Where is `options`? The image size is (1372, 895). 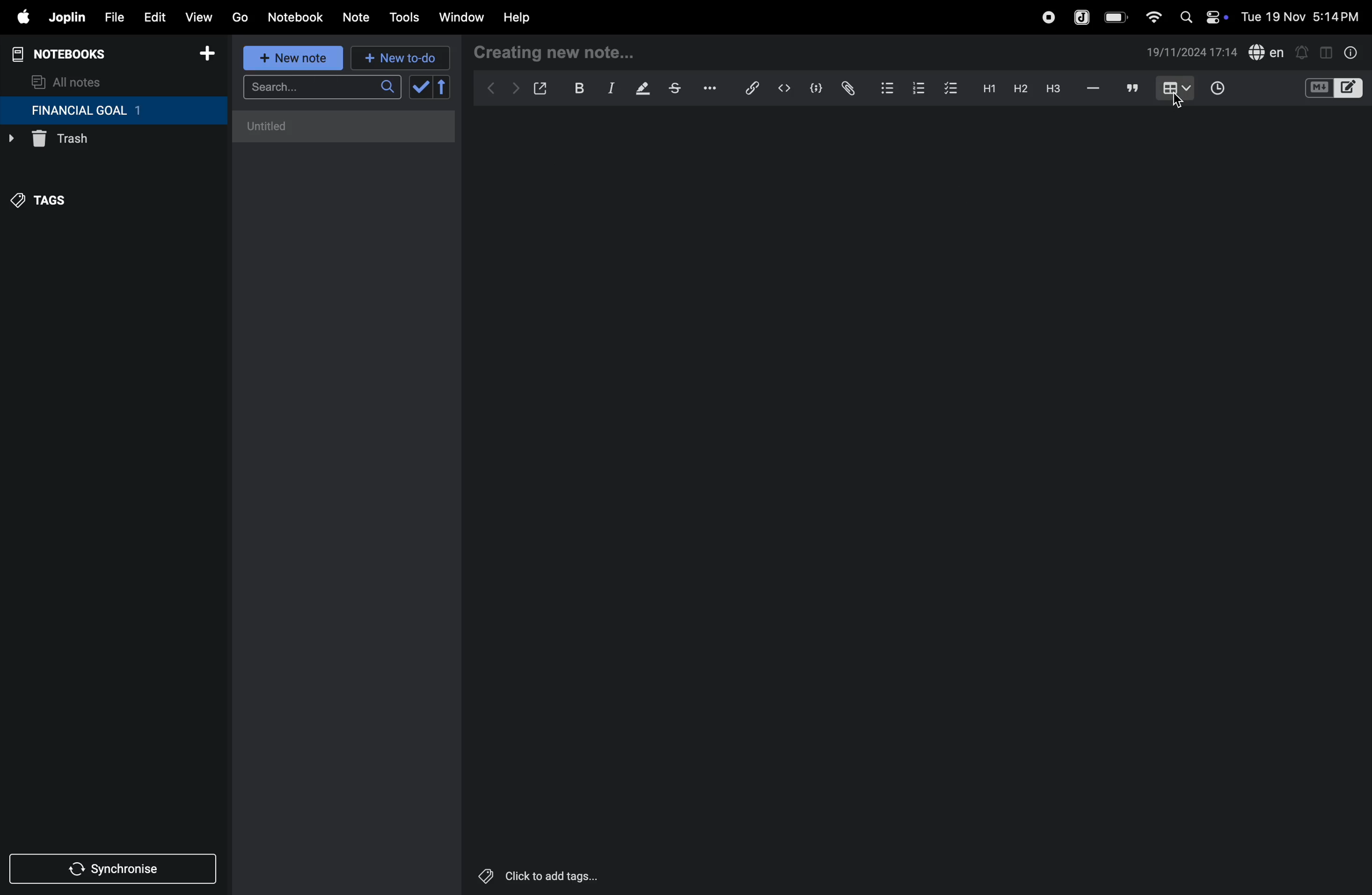
options is located at coordinates (712, 88).